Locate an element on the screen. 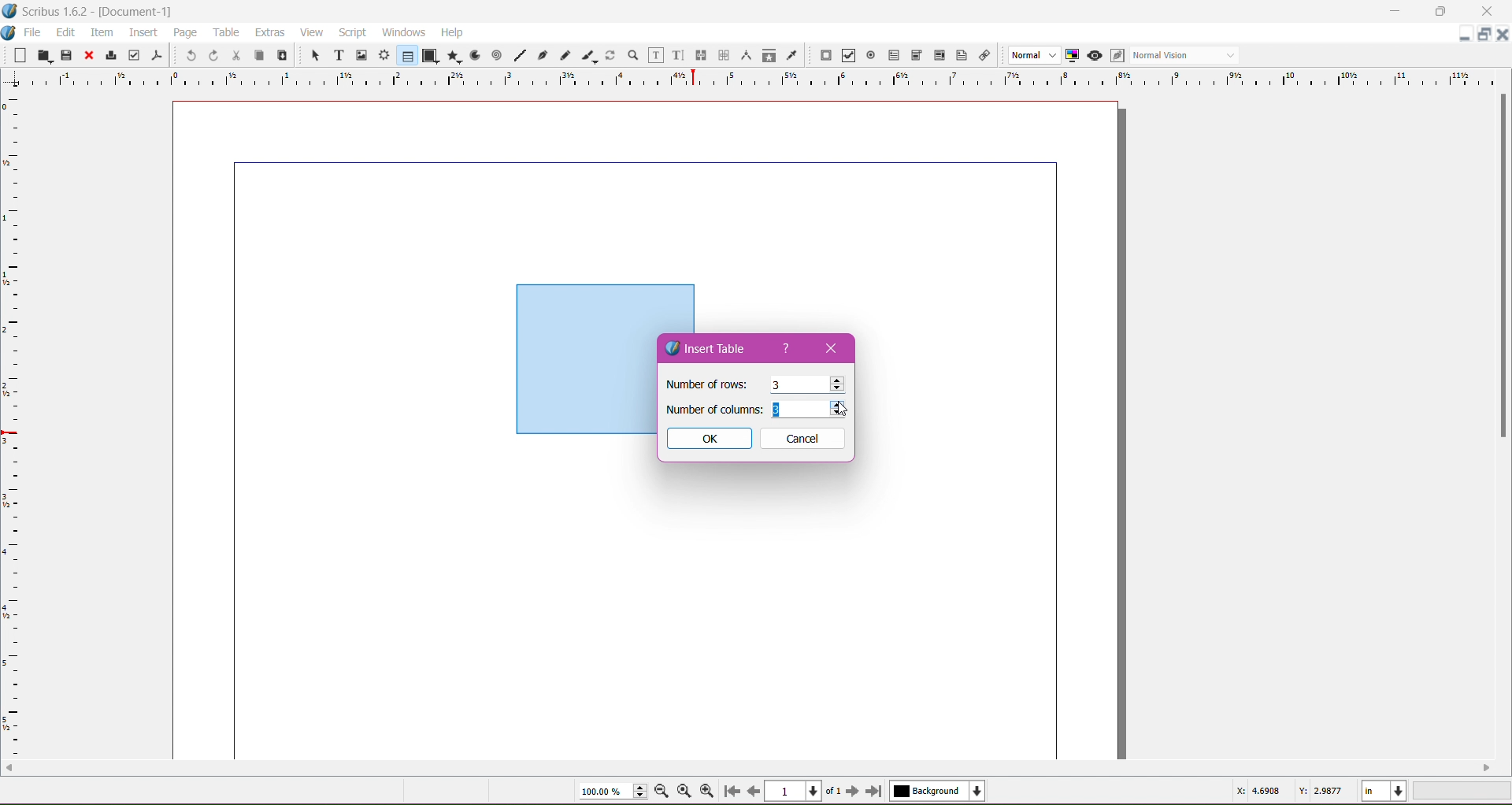 The height and width of the screenshot is (805, 1512). Preview Mode is located at coordinates (1094, 55).